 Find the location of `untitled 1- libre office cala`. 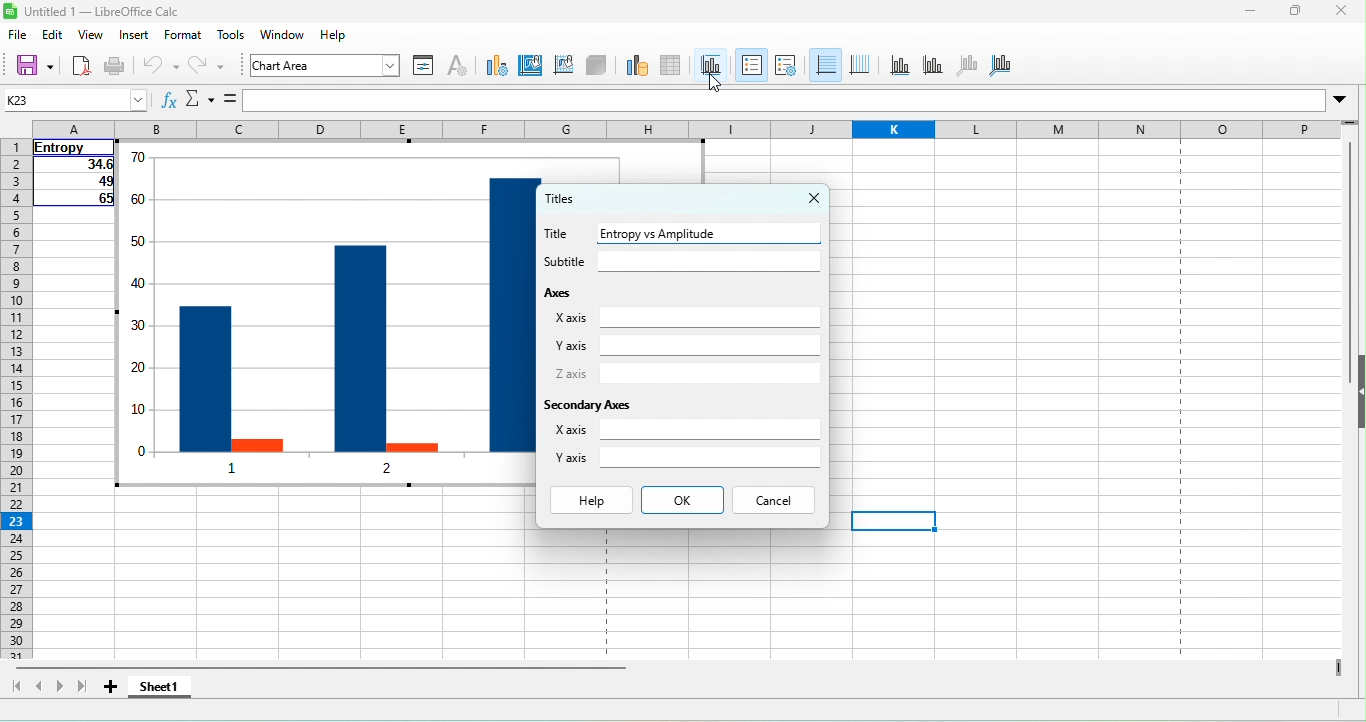

untitled 1- libre office cala is located at coordinates (96, 13).